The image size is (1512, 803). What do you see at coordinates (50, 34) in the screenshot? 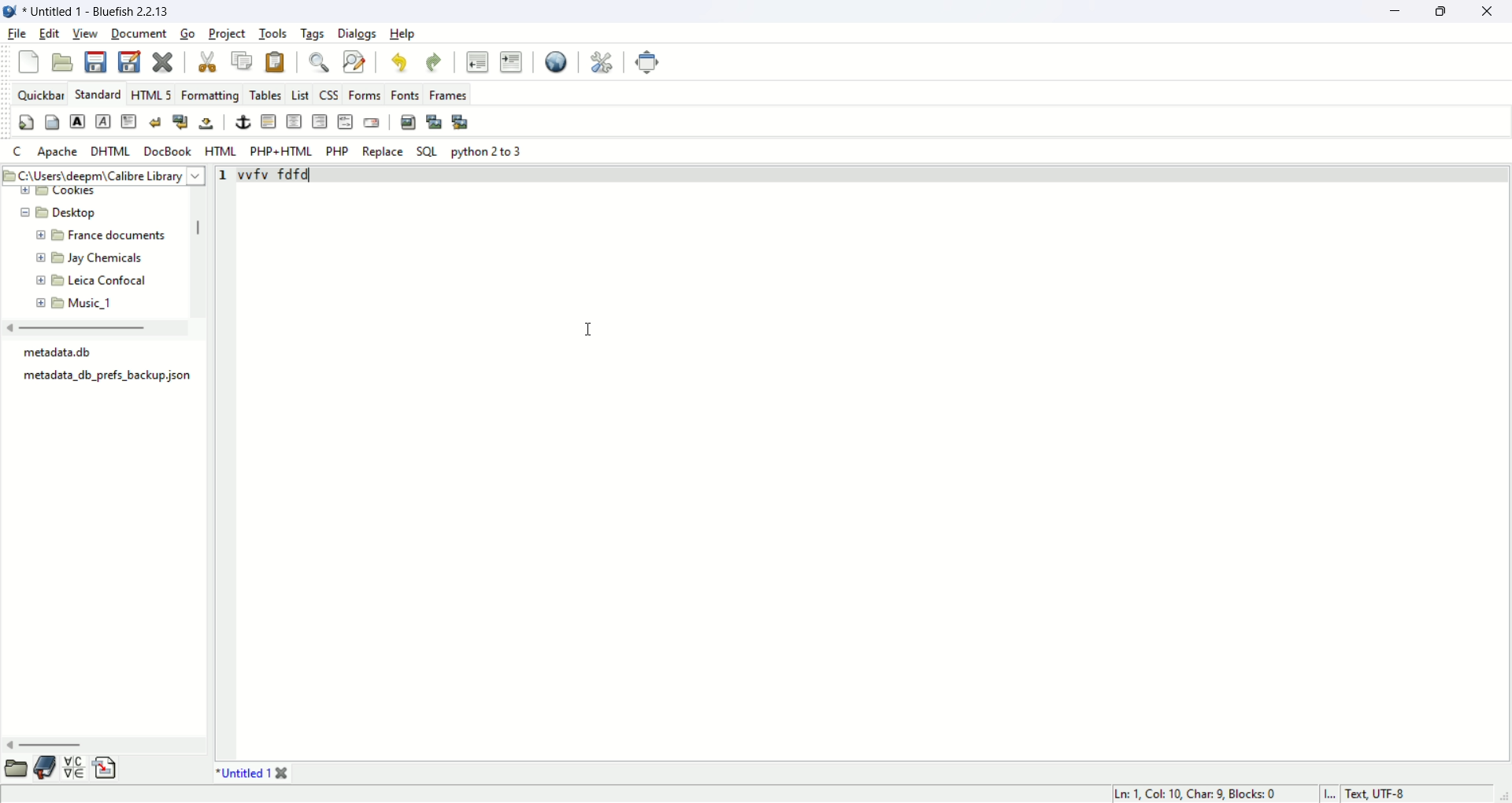
I see `edit` at bounding box center [50, 34].